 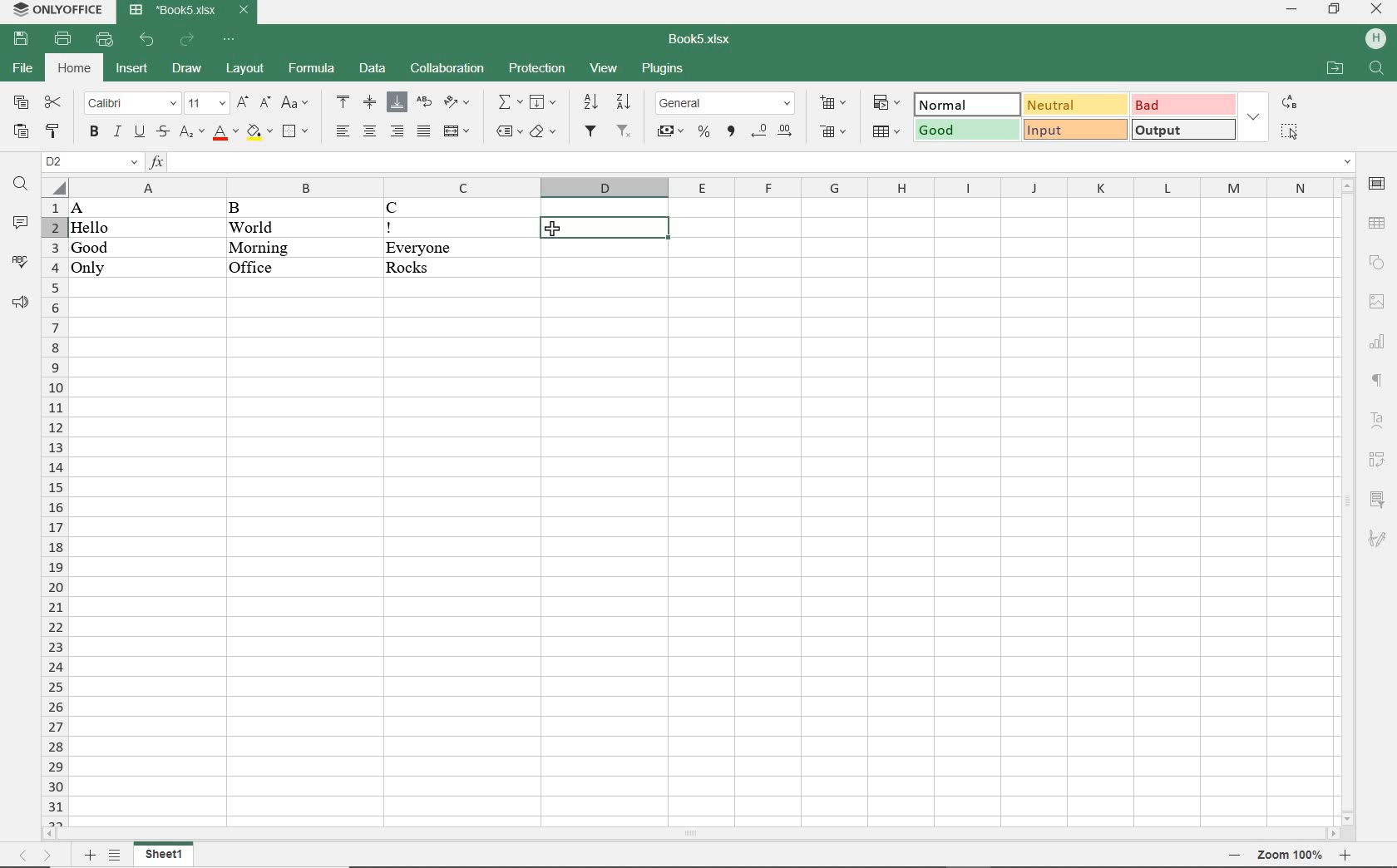 I want to click on document name, so click(x=188, y=12).